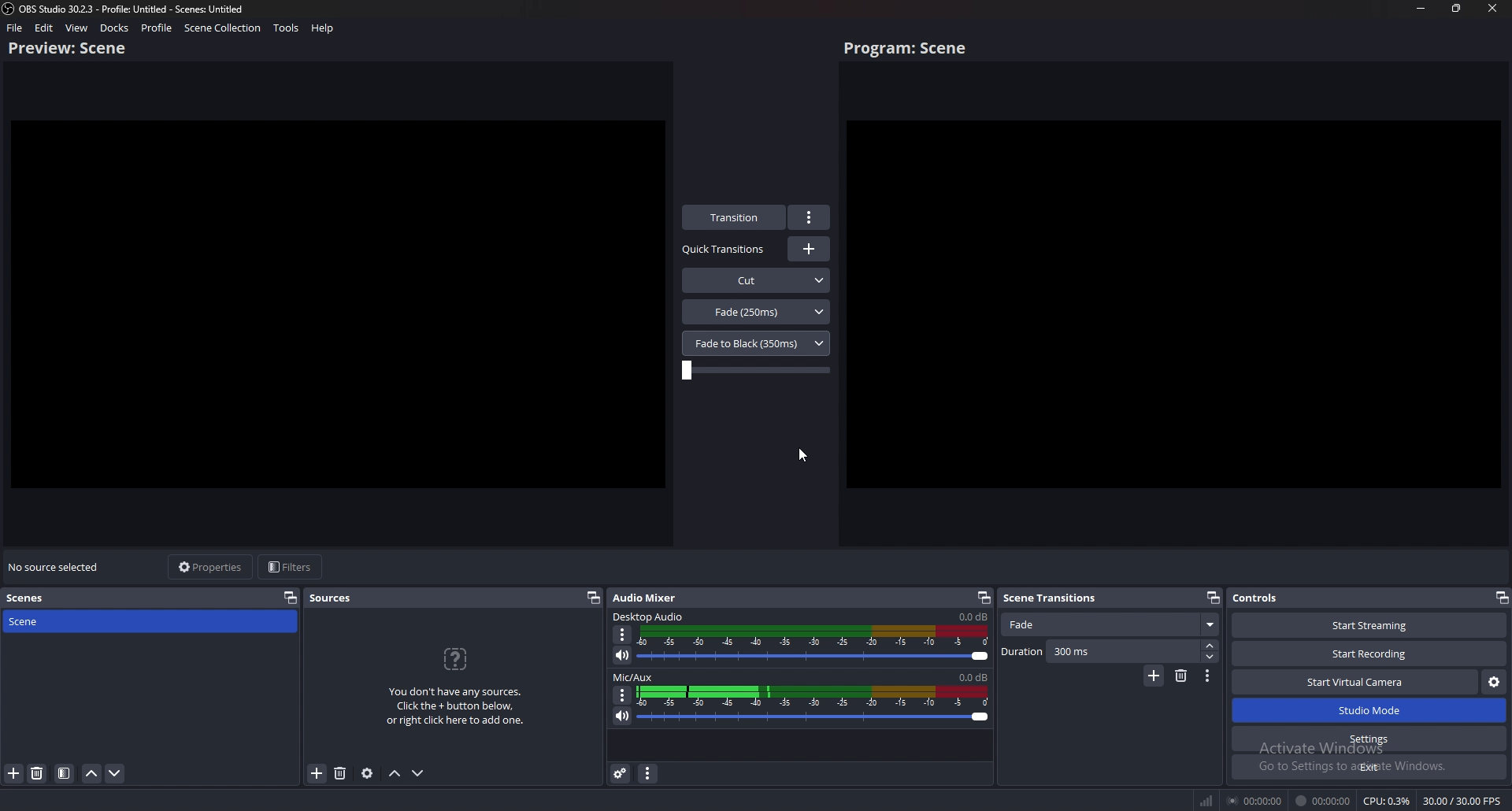 The image size is (1512, 811). Describe the element at coordinates (624, 656) in the screenshot. I see `Mute` at that location.